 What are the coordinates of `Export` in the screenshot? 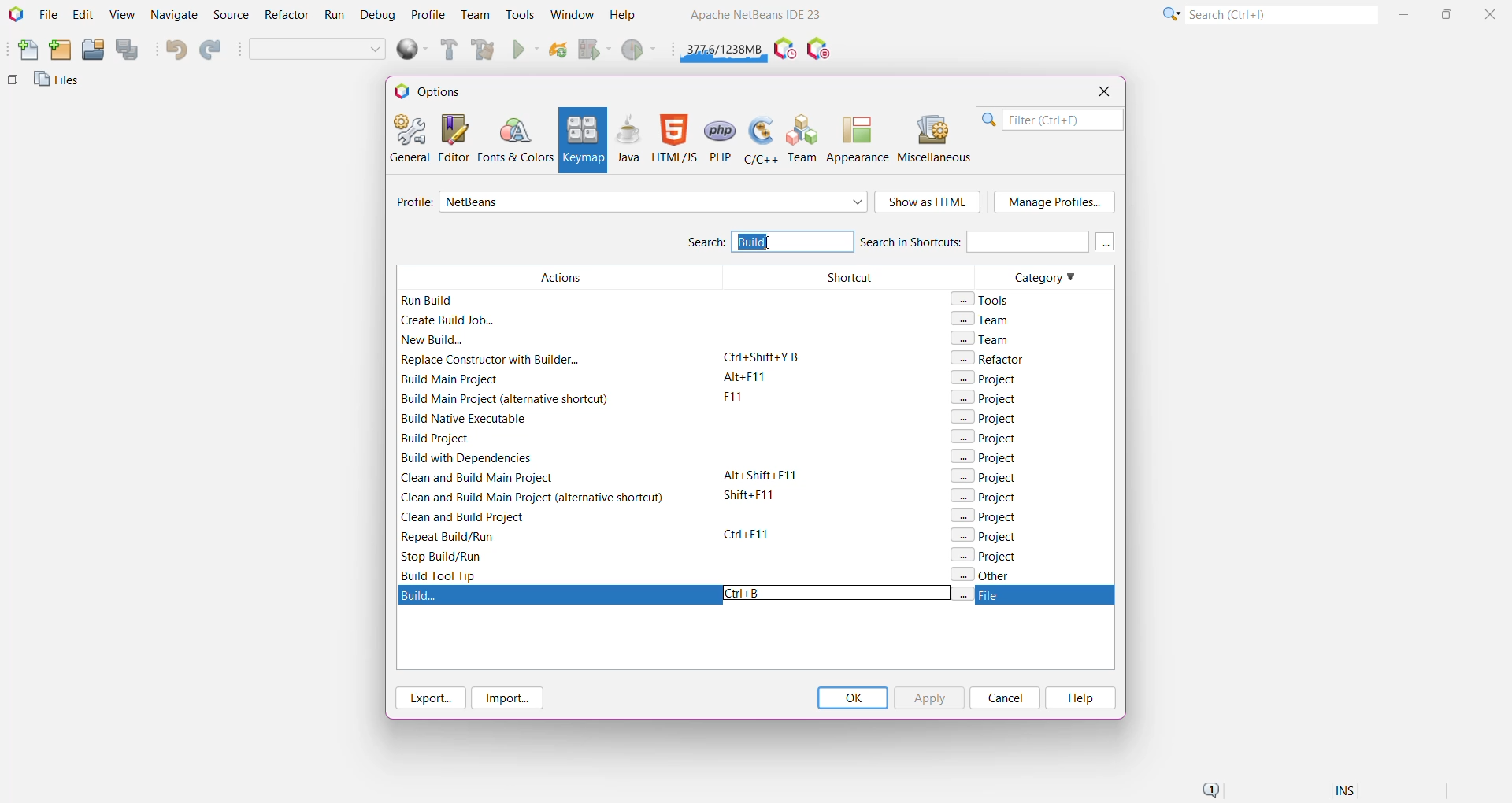 It's located at (428, 698).